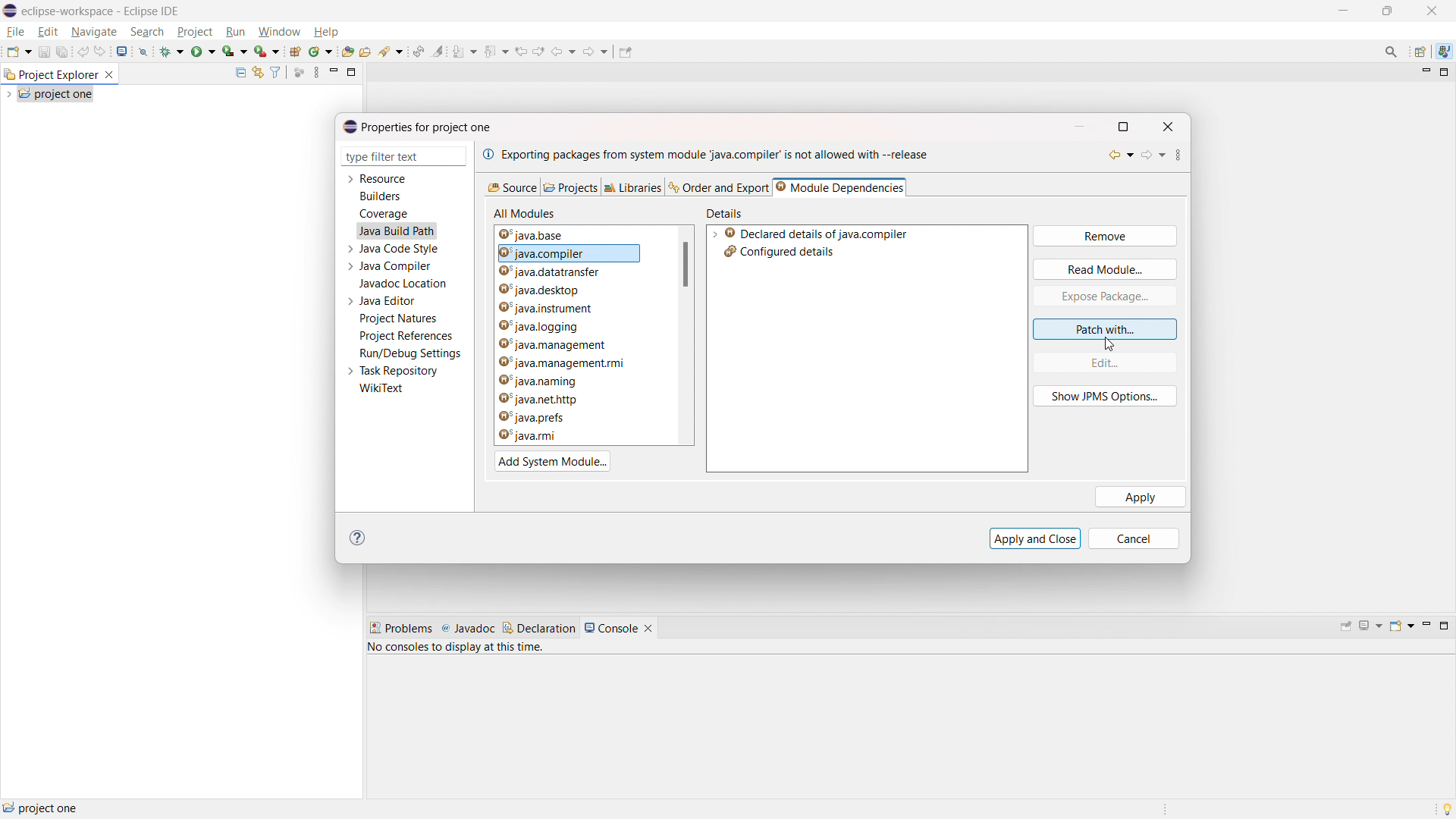 The height and width of the screenshot is (819, 1456). Describe the element at coordinates (1141, 497) in the screenshot. I see `apply` at that location.